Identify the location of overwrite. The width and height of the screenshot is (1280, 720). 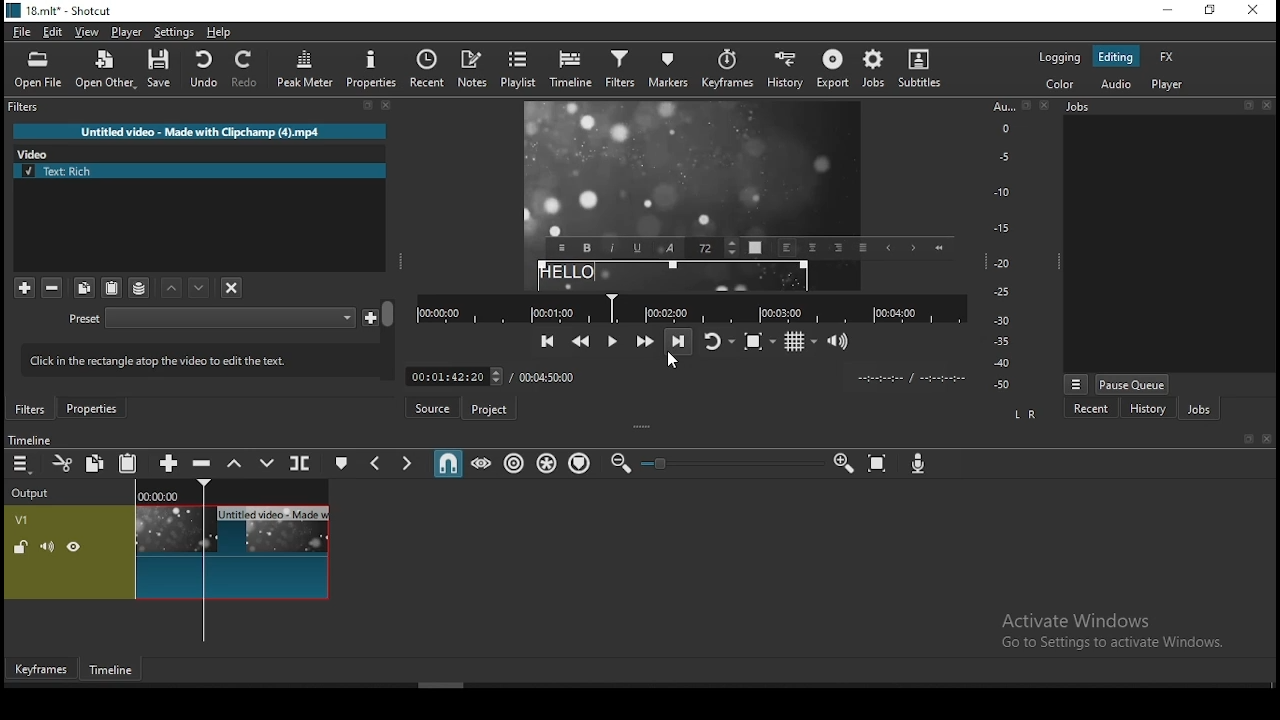
(266, 462).